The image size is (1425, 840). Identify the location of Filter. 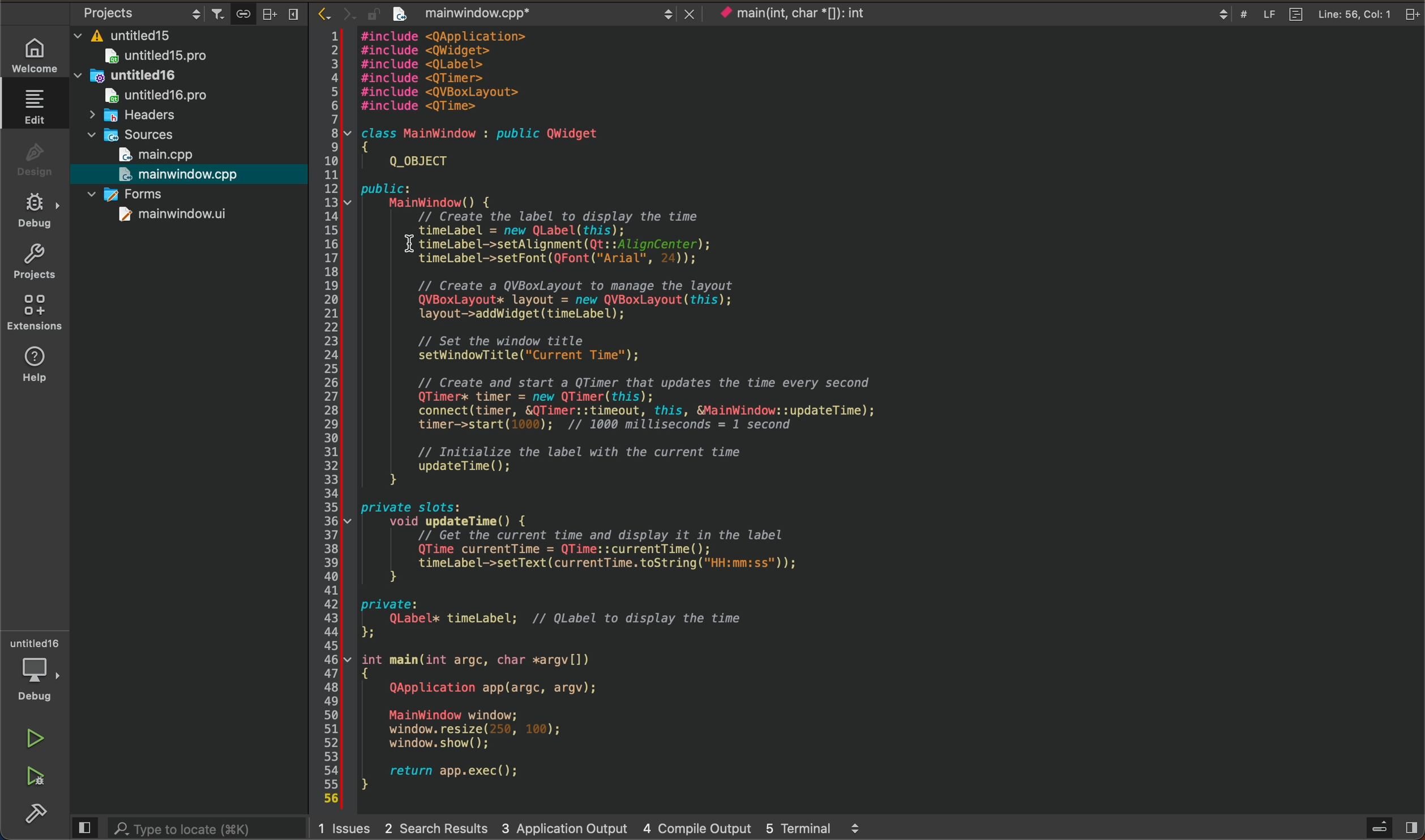
(217, 10).